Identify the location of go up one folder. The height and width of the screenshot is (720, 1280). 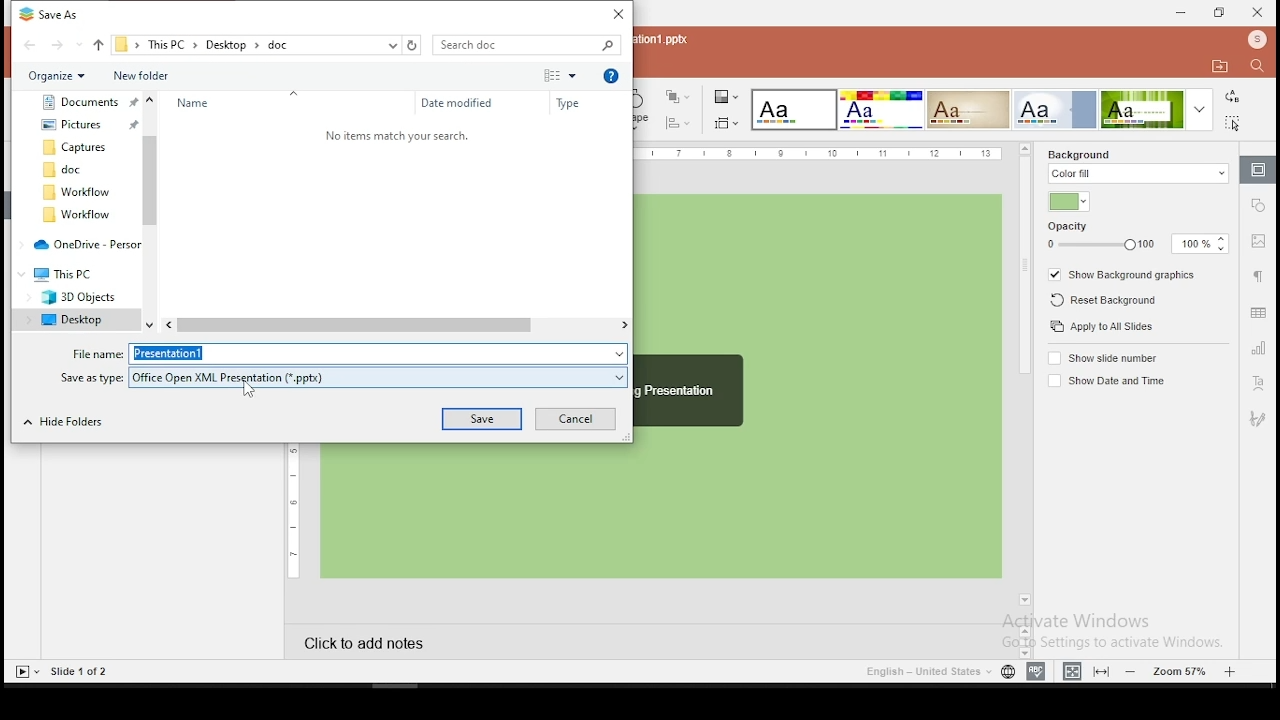
(98, 45).